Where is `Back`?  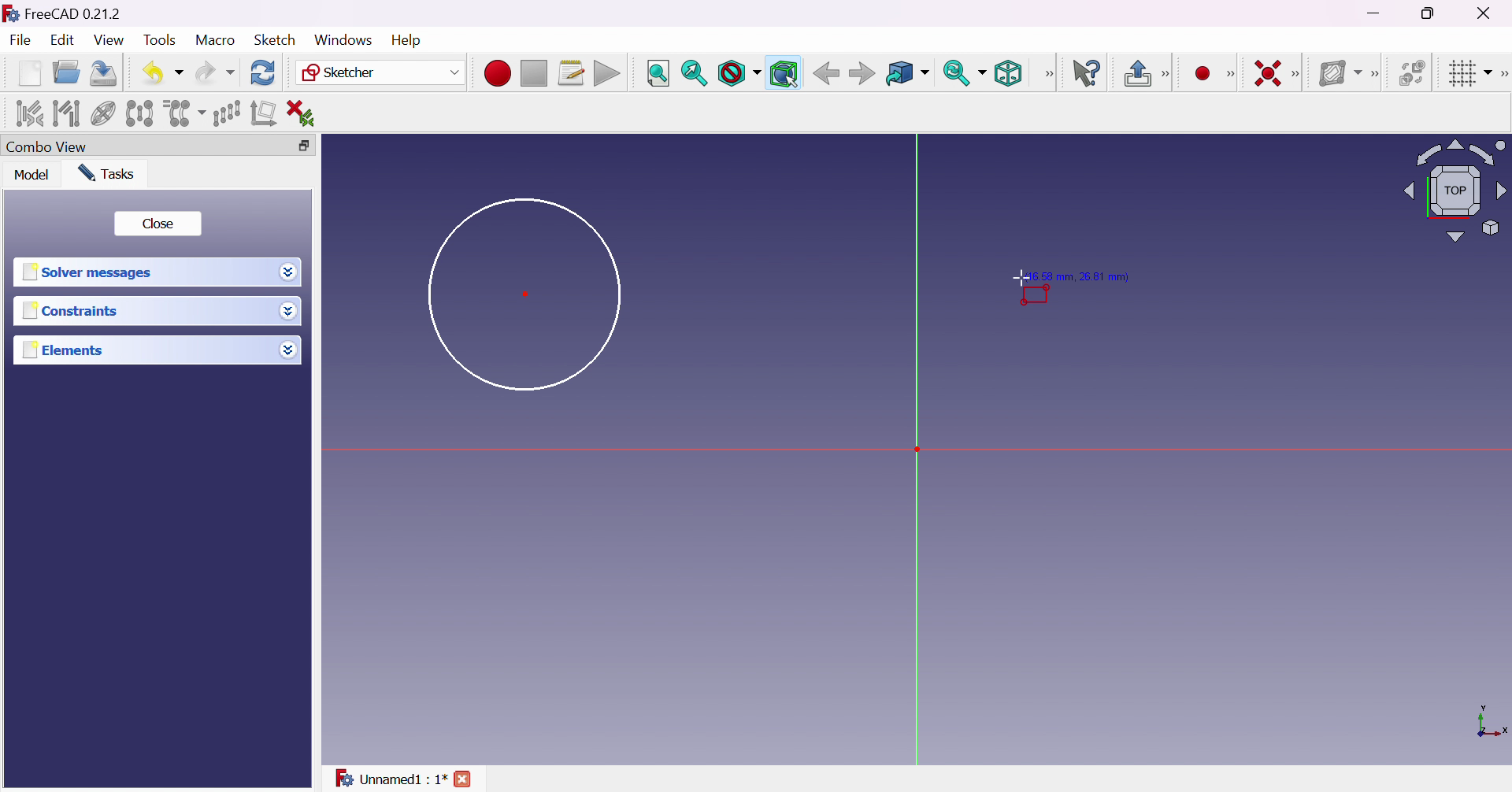
Back is located at coordinates (826, 72).